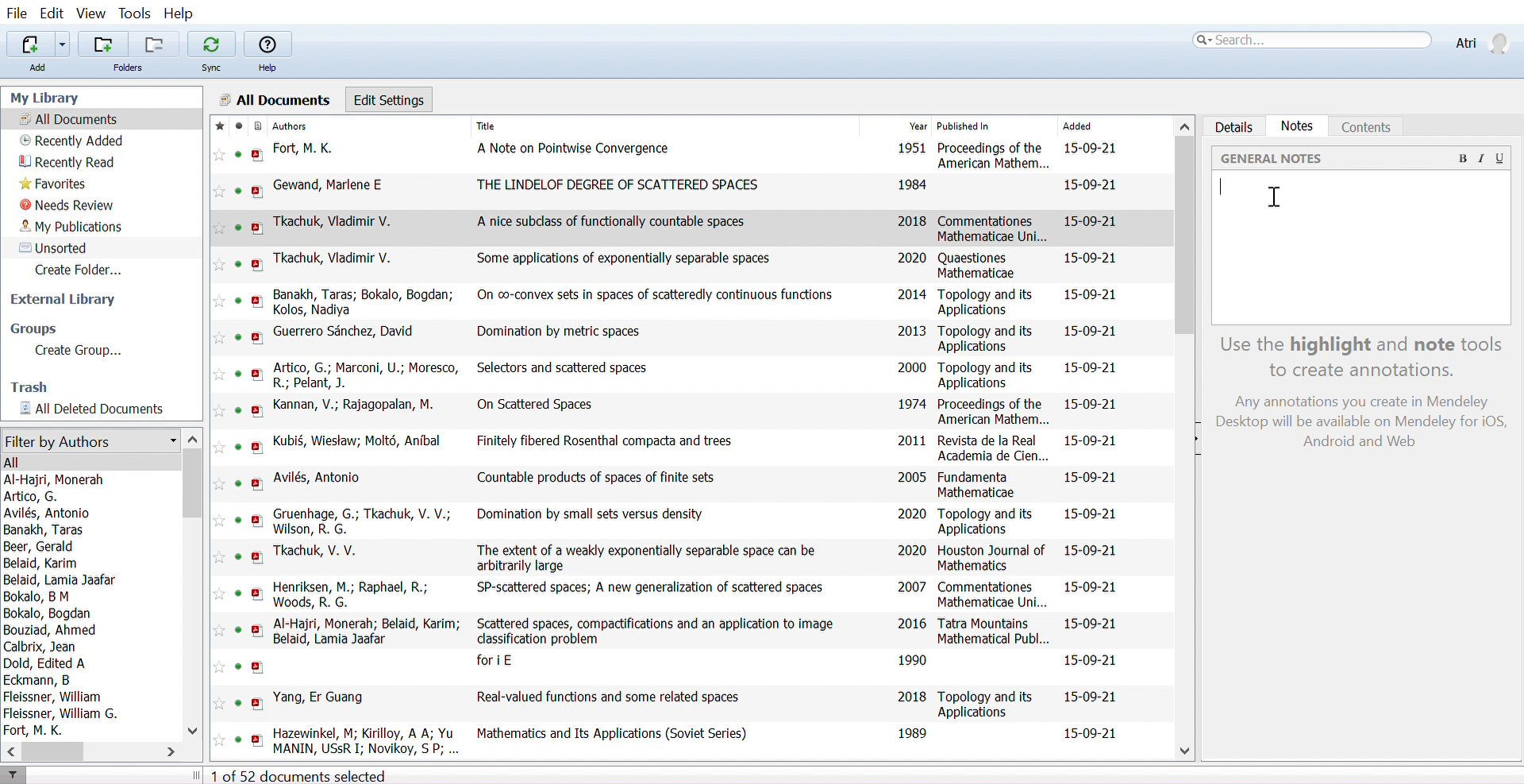  I want to click on 2020, so click(911, 514).